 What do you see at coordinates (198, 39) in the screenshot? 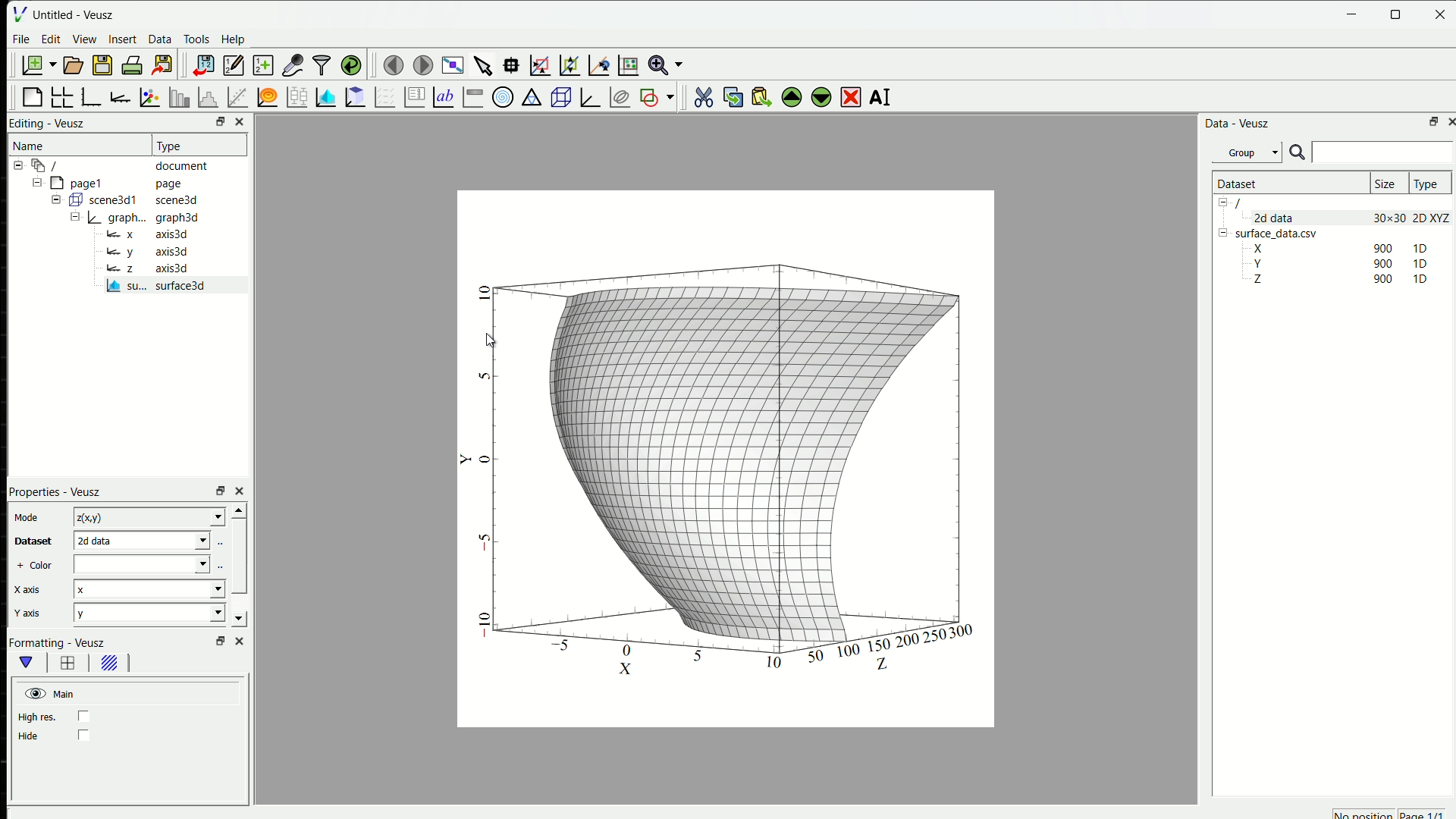
I see `Tools` at bounding box center [198, 39].